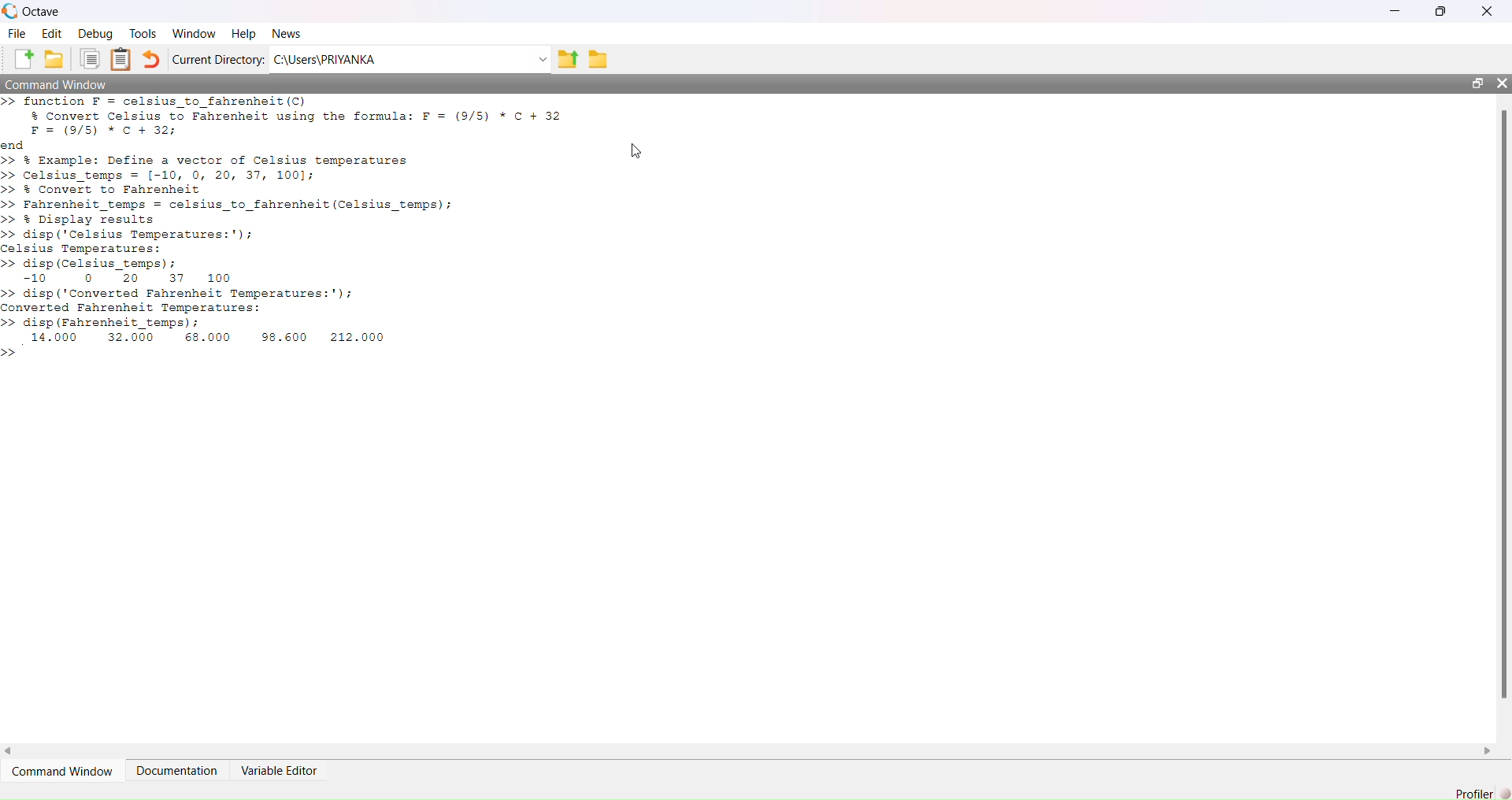 This screenshot has width=1512, height=800. I want to click on Documentation, so click(178, 769).